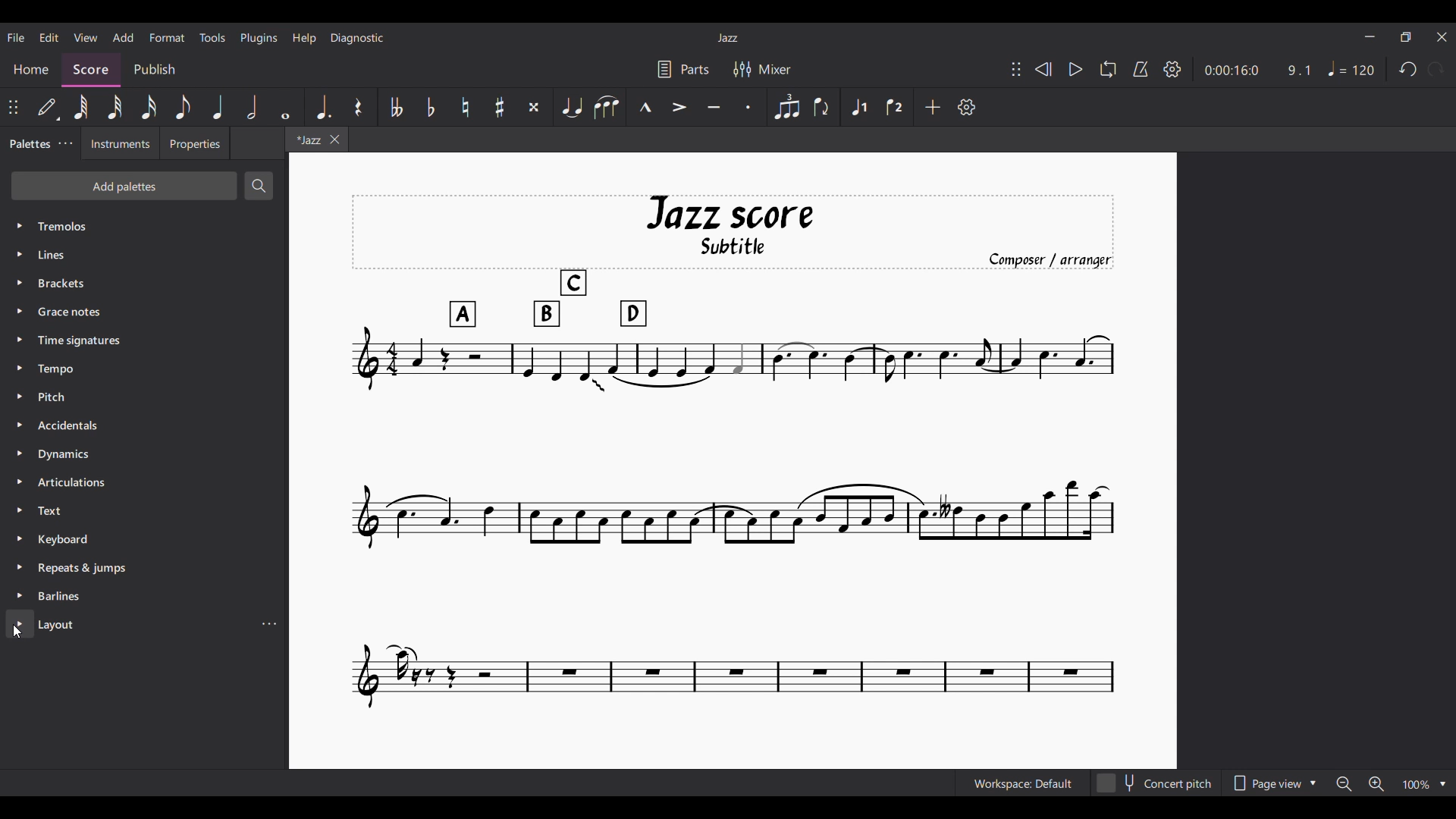  I want to click on Staccato, so click(748, 107).